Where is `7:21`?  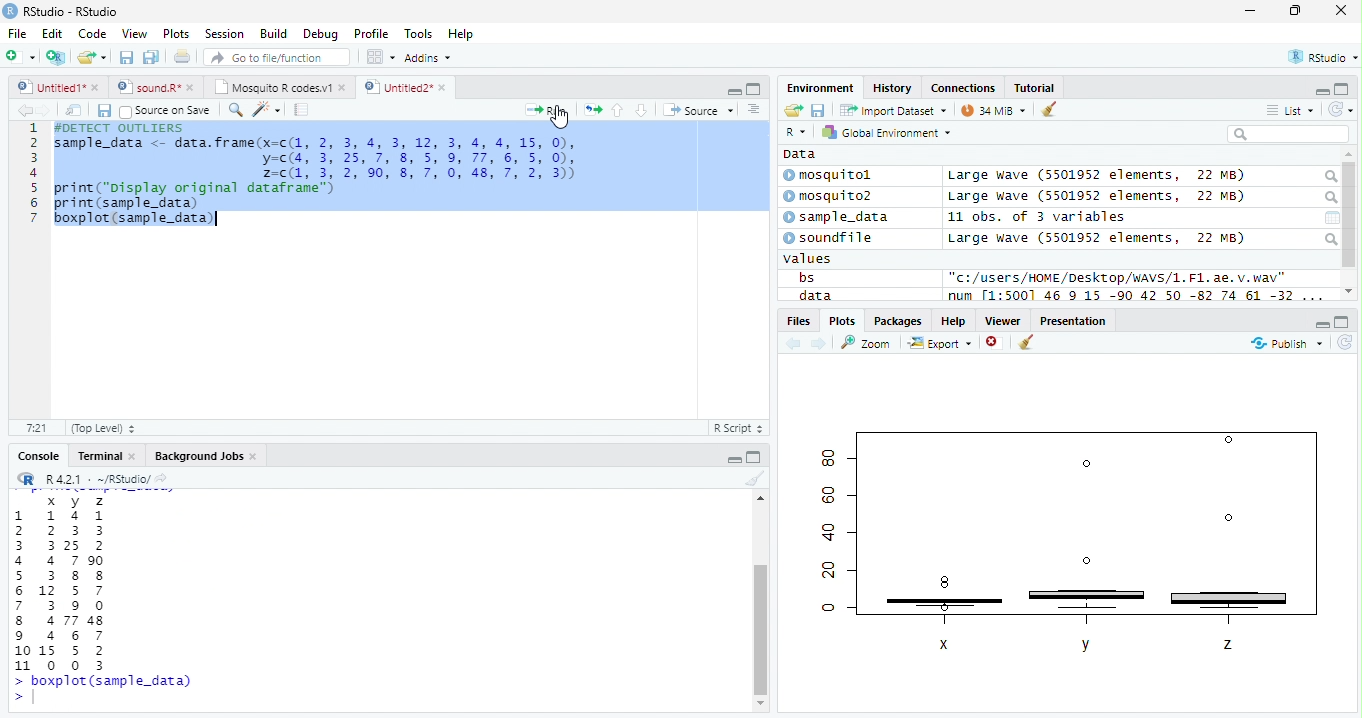
7:21 is located at coordinates (36, 427).